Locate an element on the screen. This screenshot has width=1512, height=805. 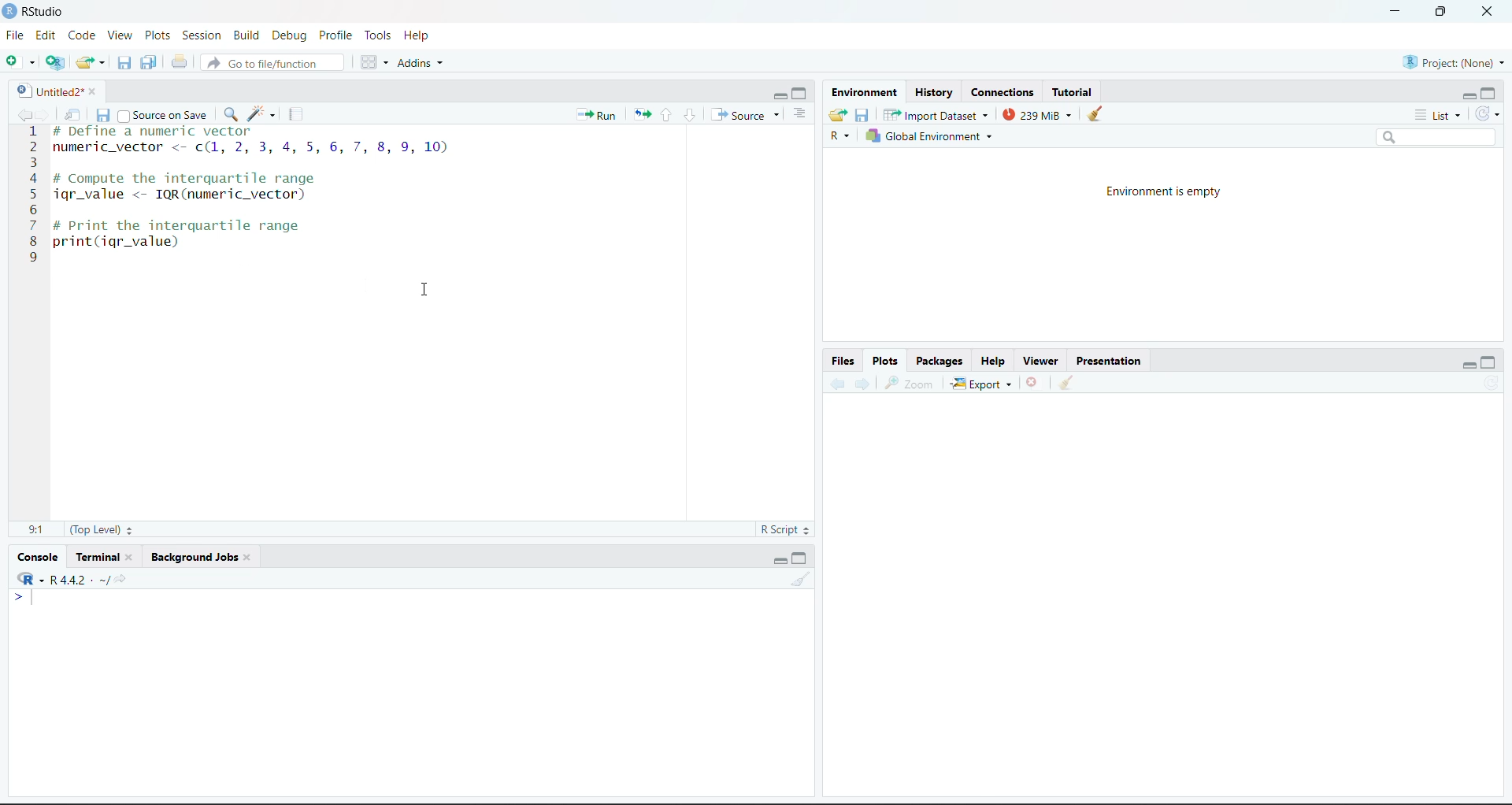
Environment is located at coordinates (865, 95).